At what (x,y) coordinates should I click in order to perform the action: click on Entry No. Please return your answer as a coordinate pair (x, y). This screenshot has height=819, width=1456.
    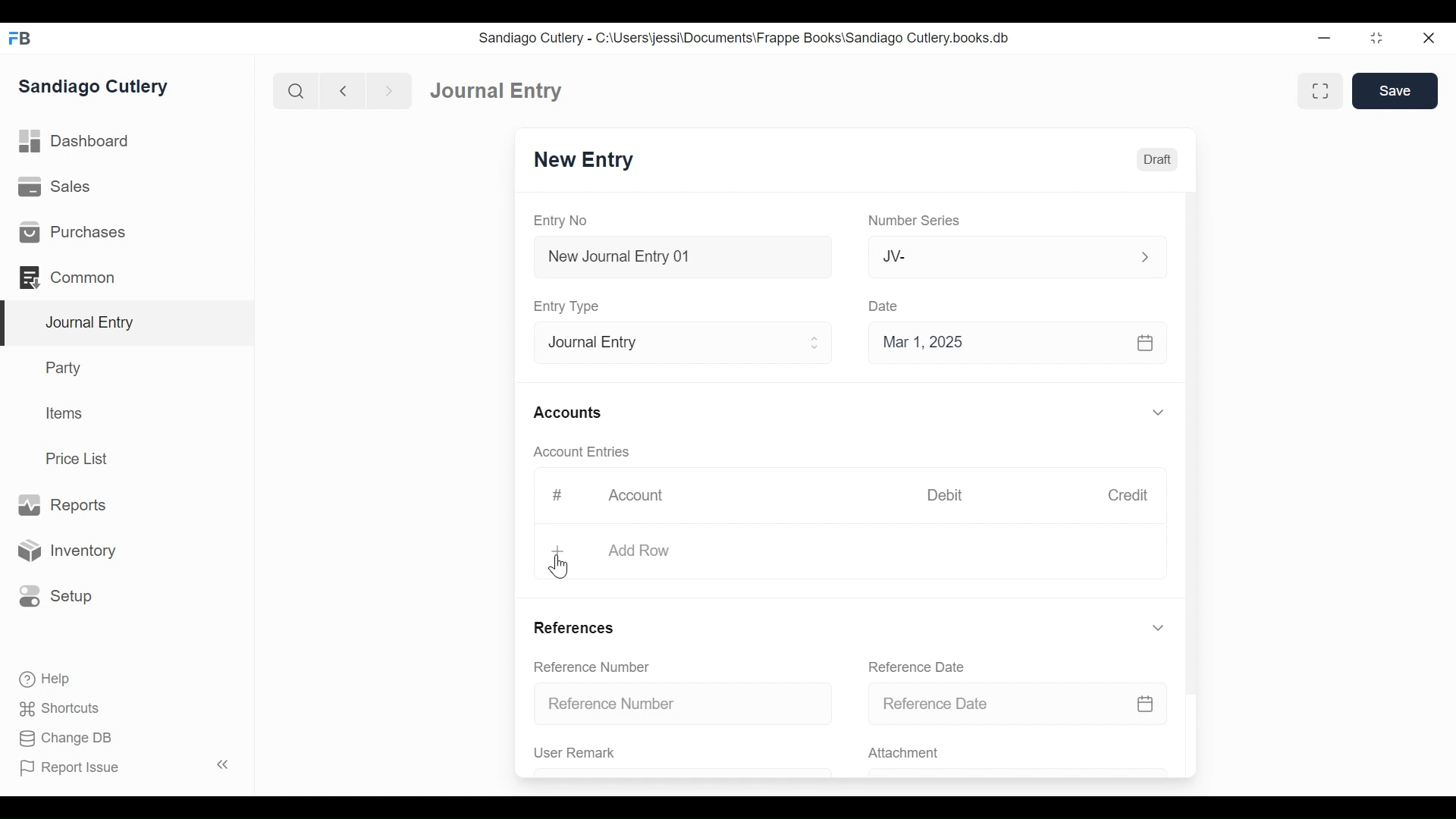
    Looking at the image, I should click on (566, 221).